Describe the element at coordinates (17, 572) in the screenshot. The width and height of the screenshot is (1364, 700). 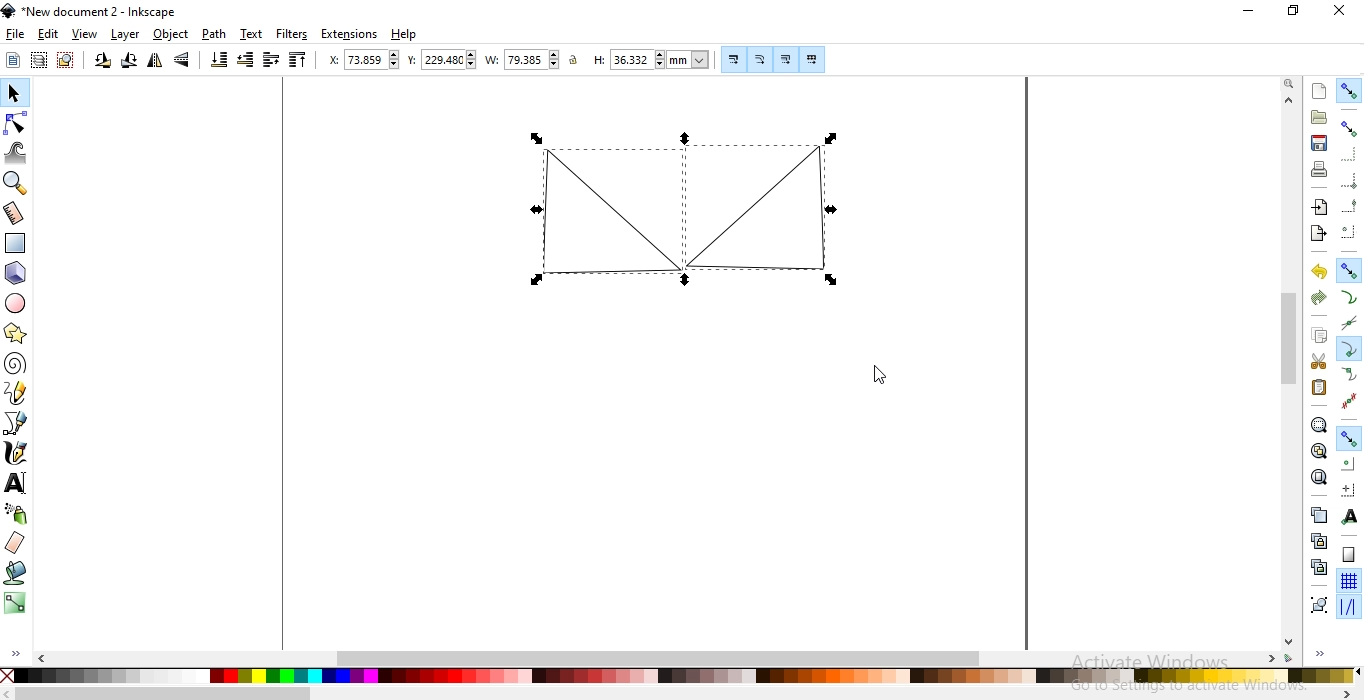
I see `fill bounded areas` at that location.